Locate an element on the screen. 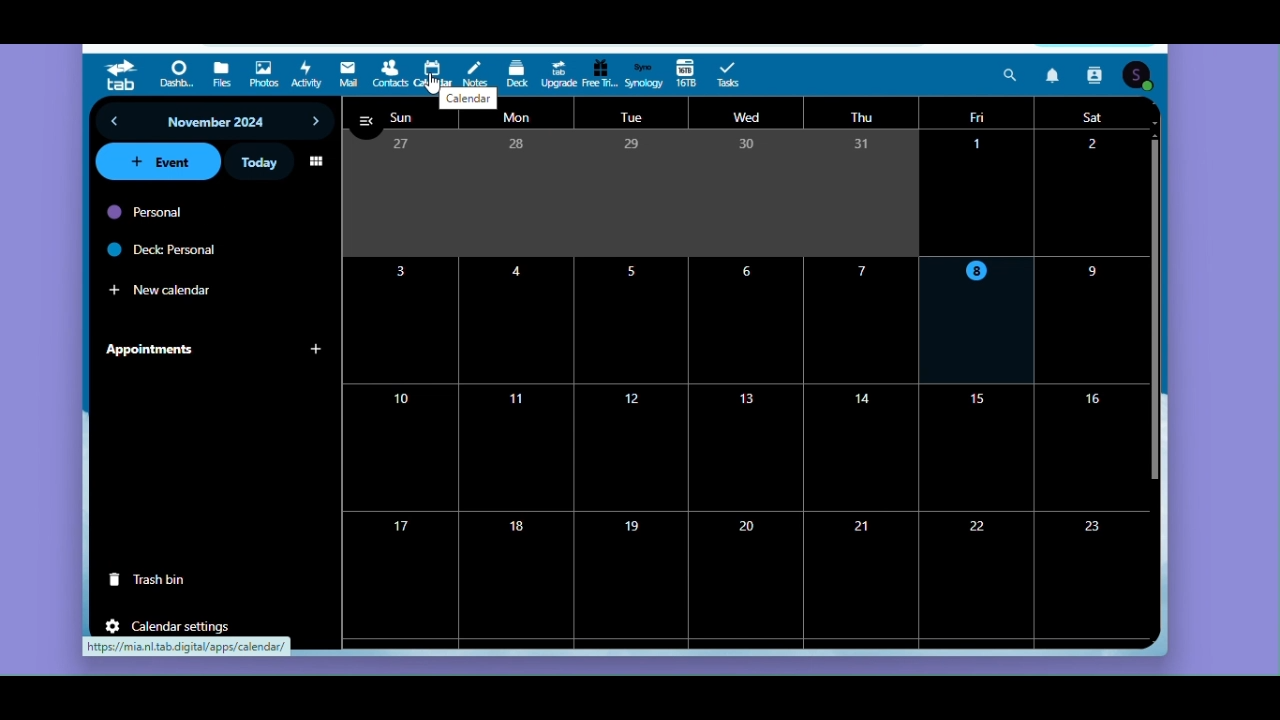 This screenshot has width=1280, height=720. New calendar is located at coordinates (183, 285).